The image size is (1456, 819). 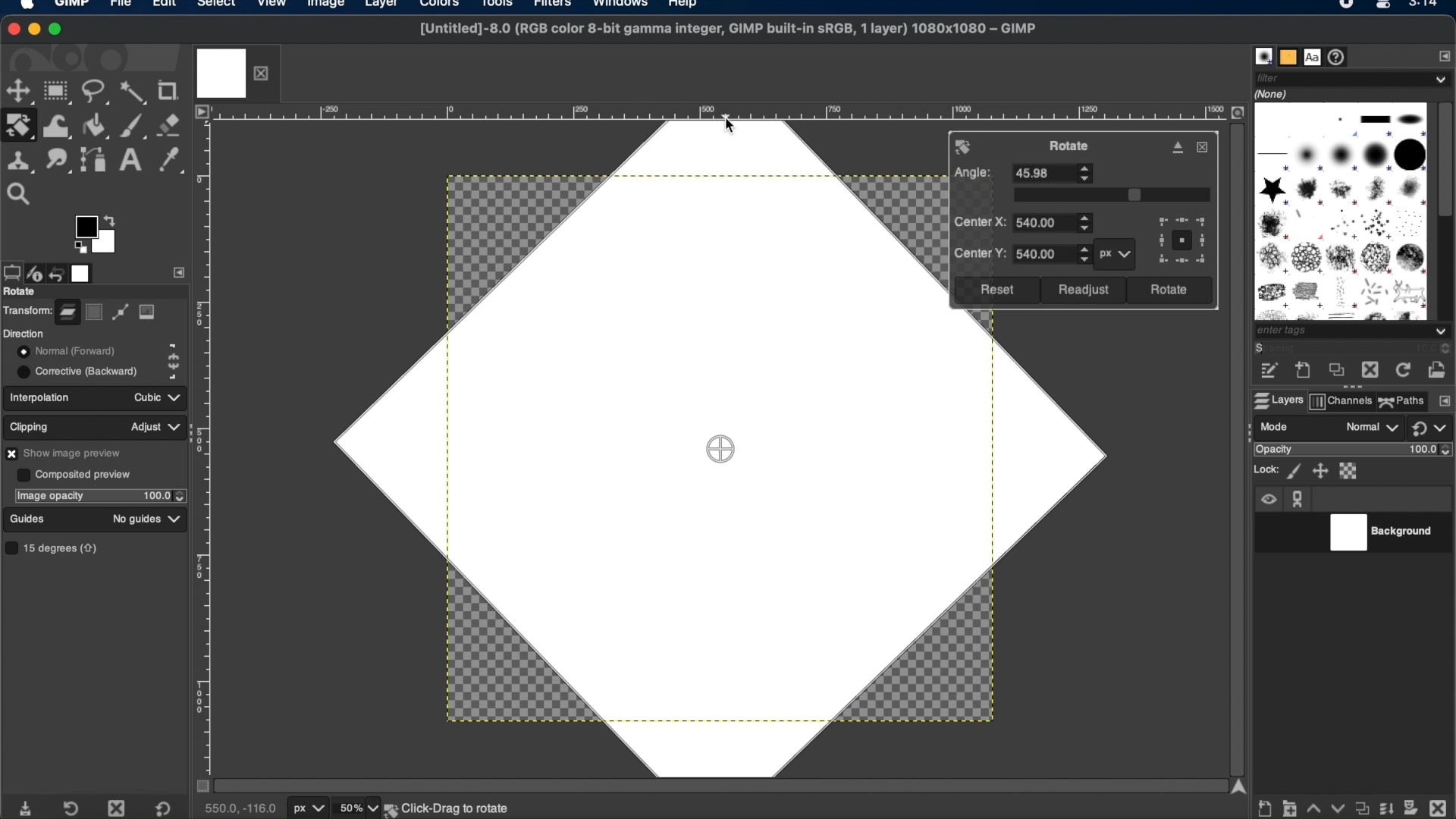 What do you see at coordinates (996, 290) in the screenshot?
I see `reset` at bounding box center [996, 290].